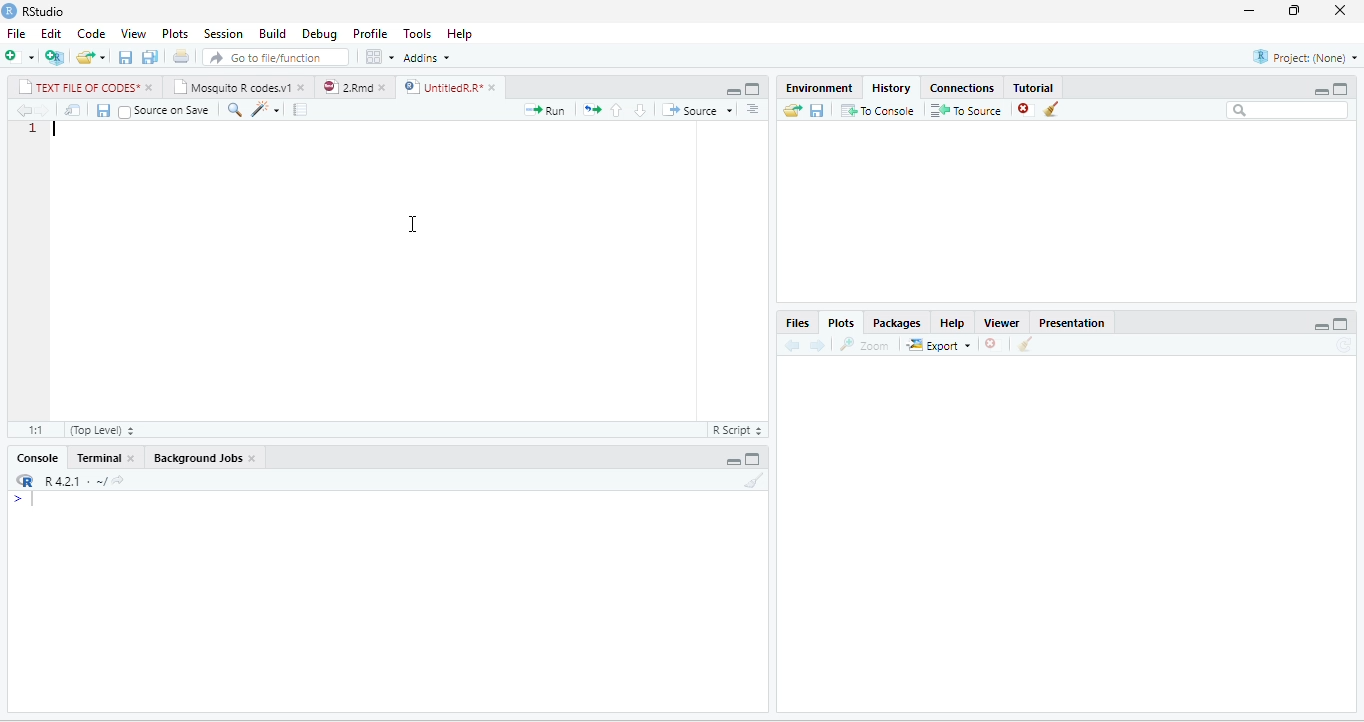  What do you see at coordinates (23, 110) in the screenshot?
I see `back` at bounding box center [23, 110].